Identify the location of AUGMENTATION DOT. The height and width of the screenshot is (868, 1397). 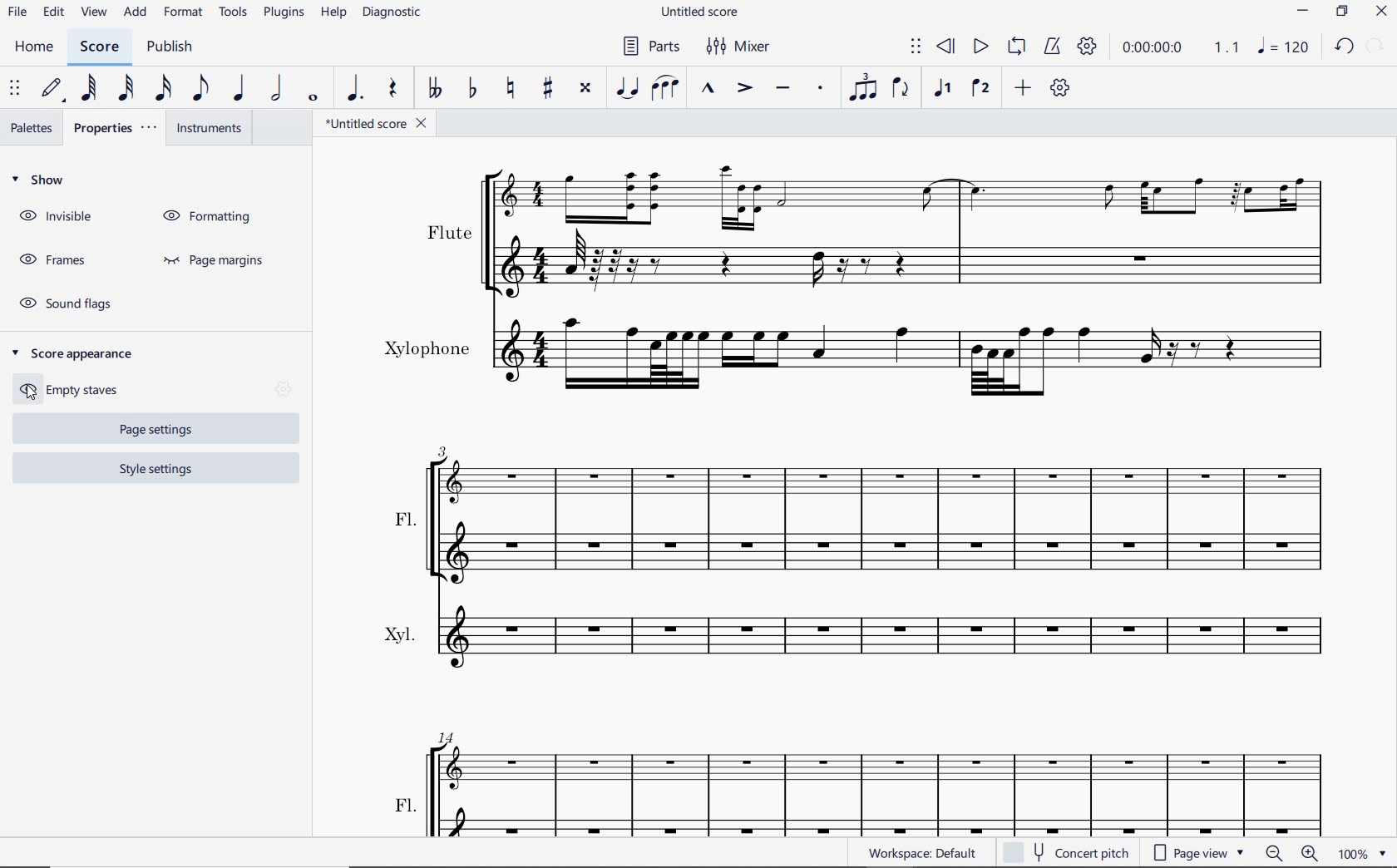
(353, 90).